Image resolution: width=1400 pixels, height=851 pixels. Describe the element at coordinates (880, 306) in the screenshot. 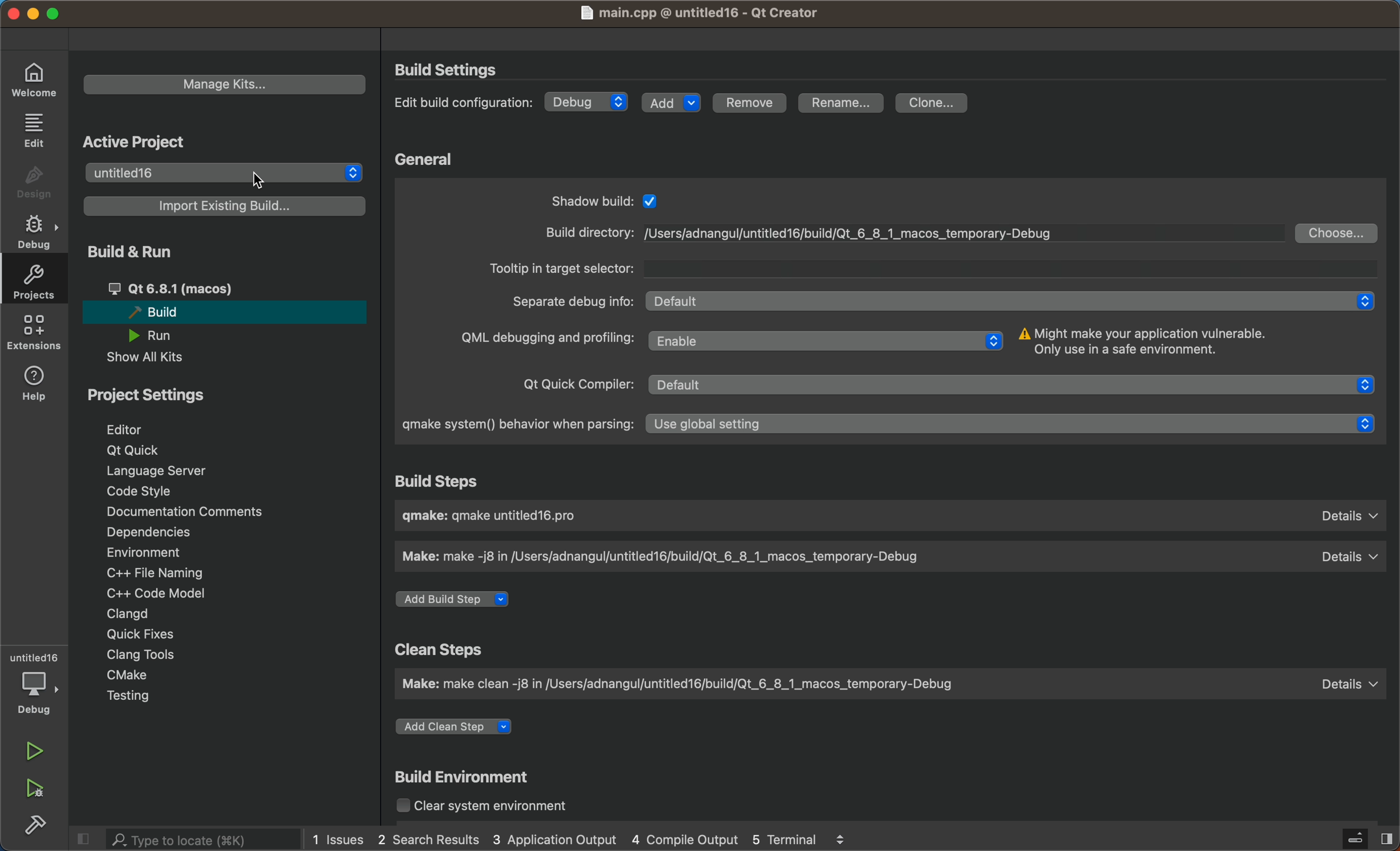

I see `general settings` at that location.